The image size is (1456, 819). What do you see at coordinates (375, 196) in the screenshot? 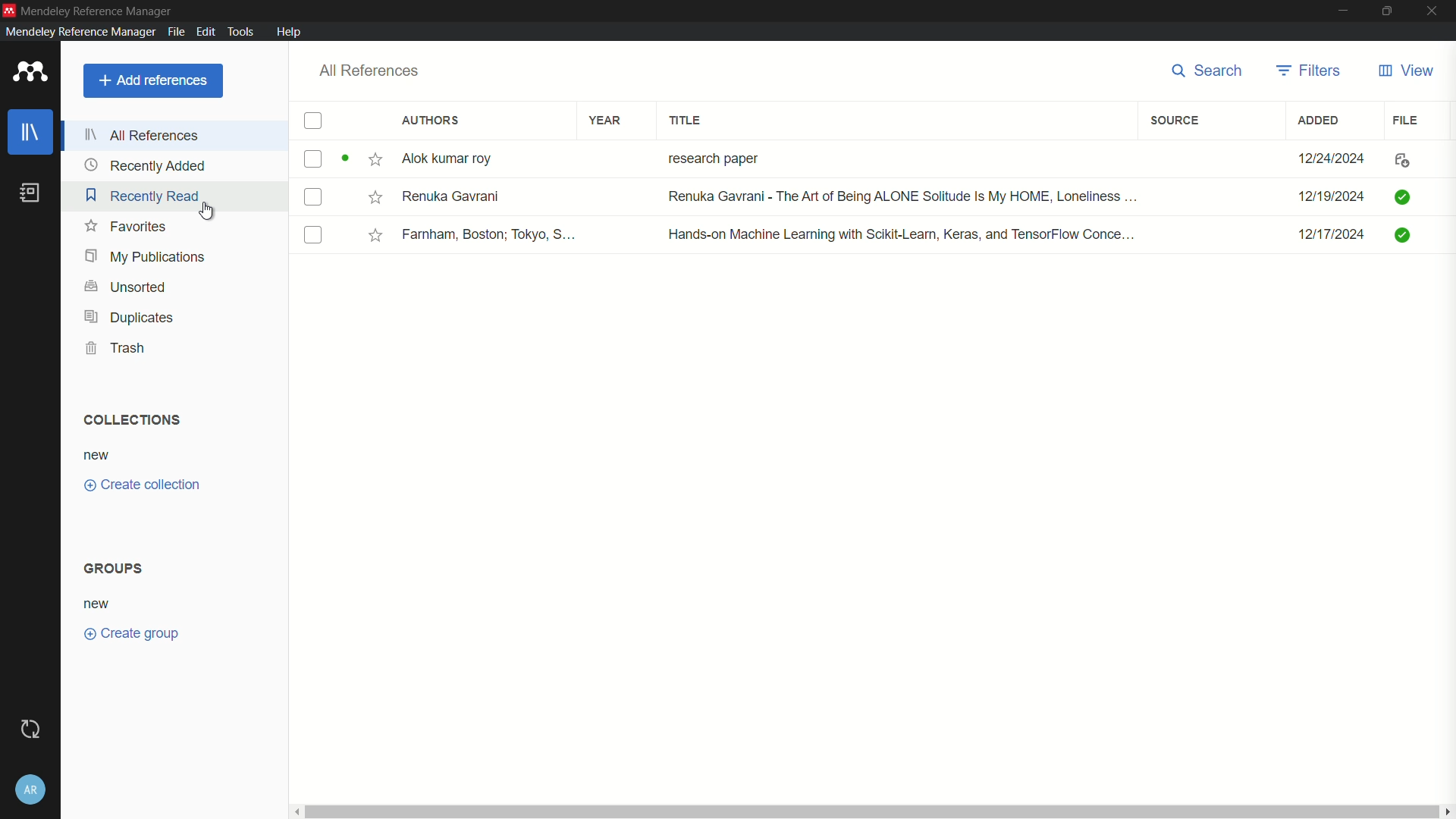
I see `Toggle favorites` at bounding box center [375, 196].